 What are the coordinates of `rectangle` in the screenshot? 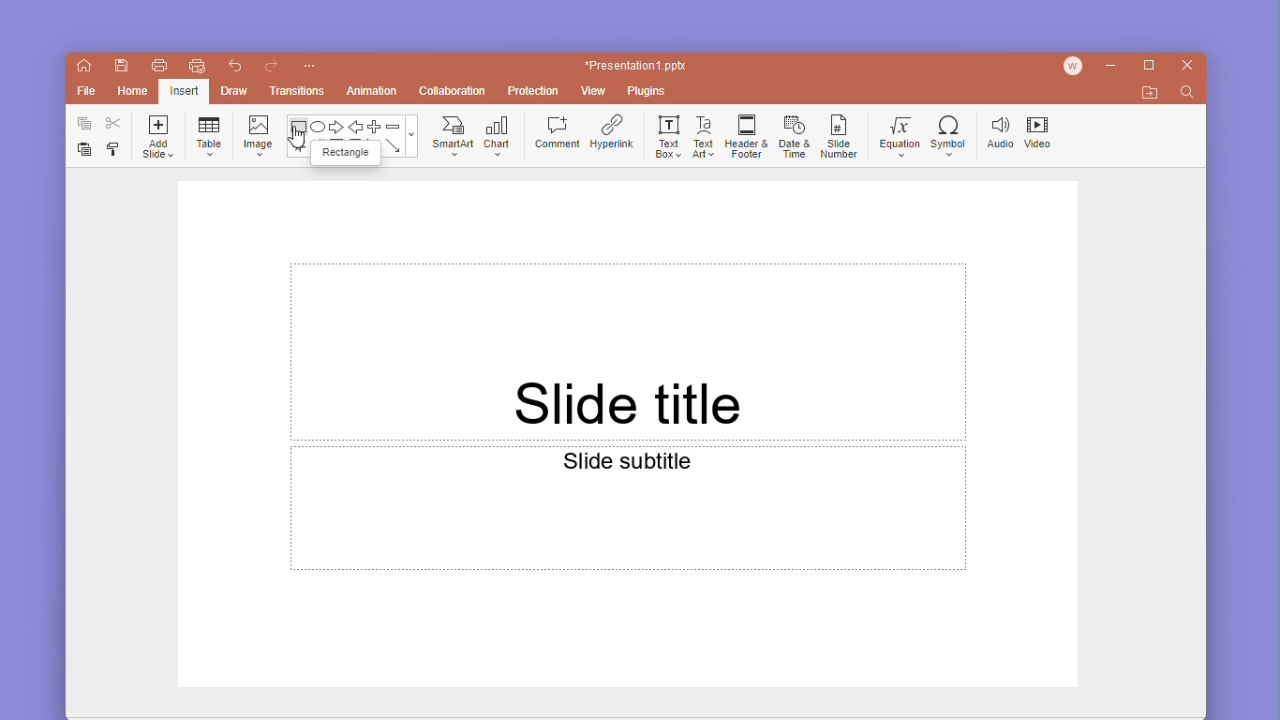 It's located at (346, 153).